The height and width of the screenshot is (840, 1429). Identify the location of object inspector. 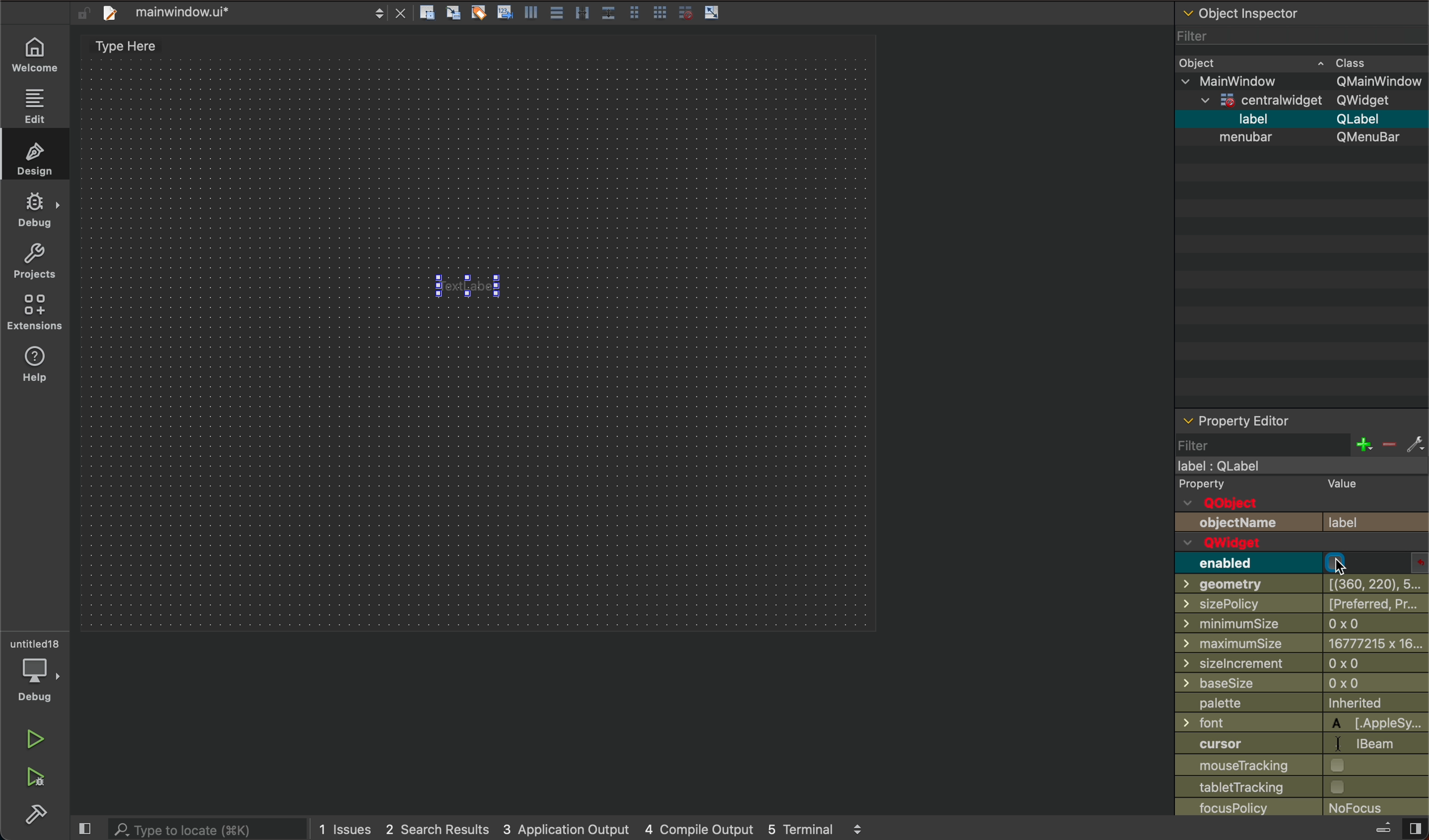
(1303, 14).